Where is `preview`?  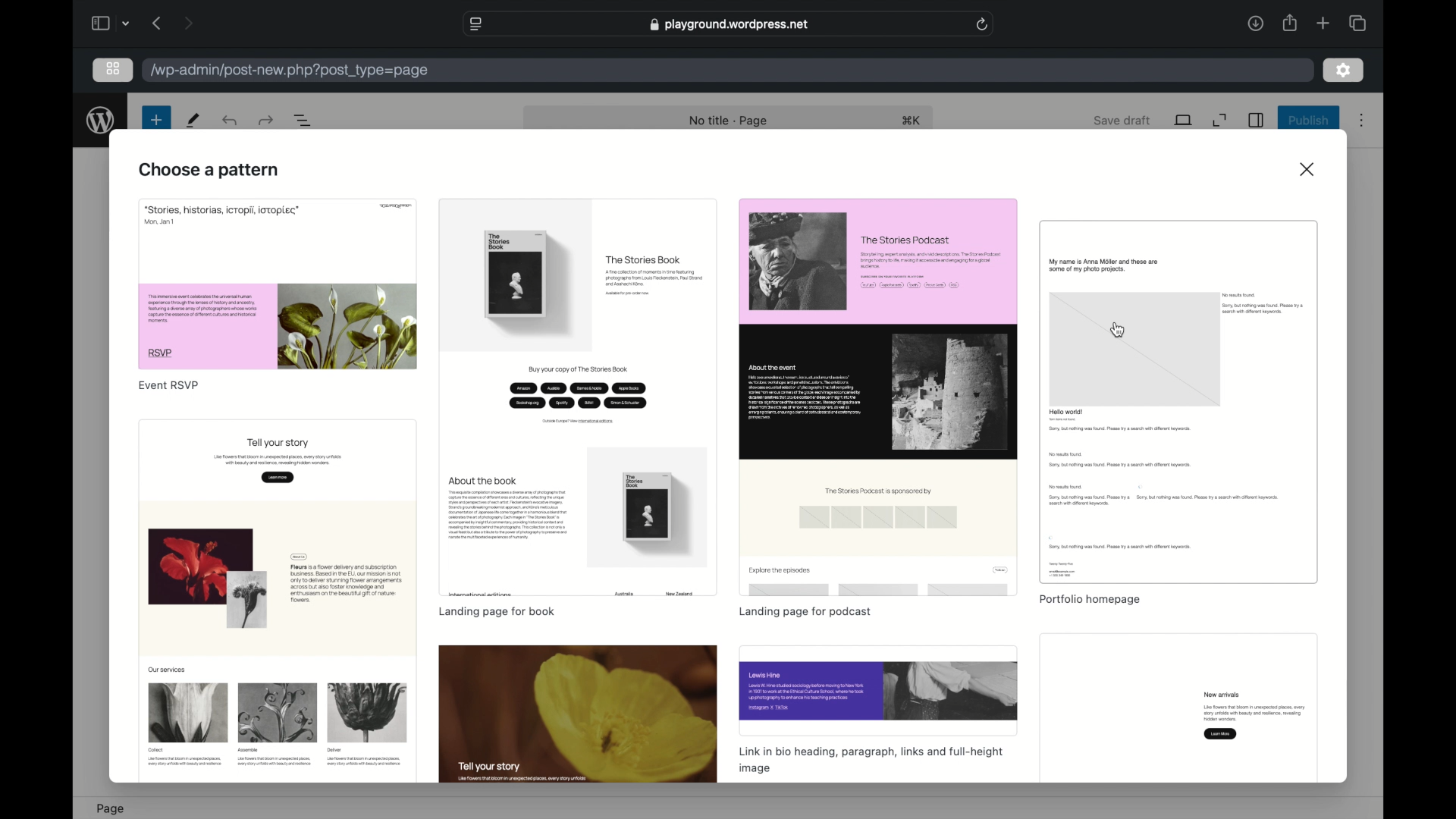
preview is located at coordinates (279, 284).